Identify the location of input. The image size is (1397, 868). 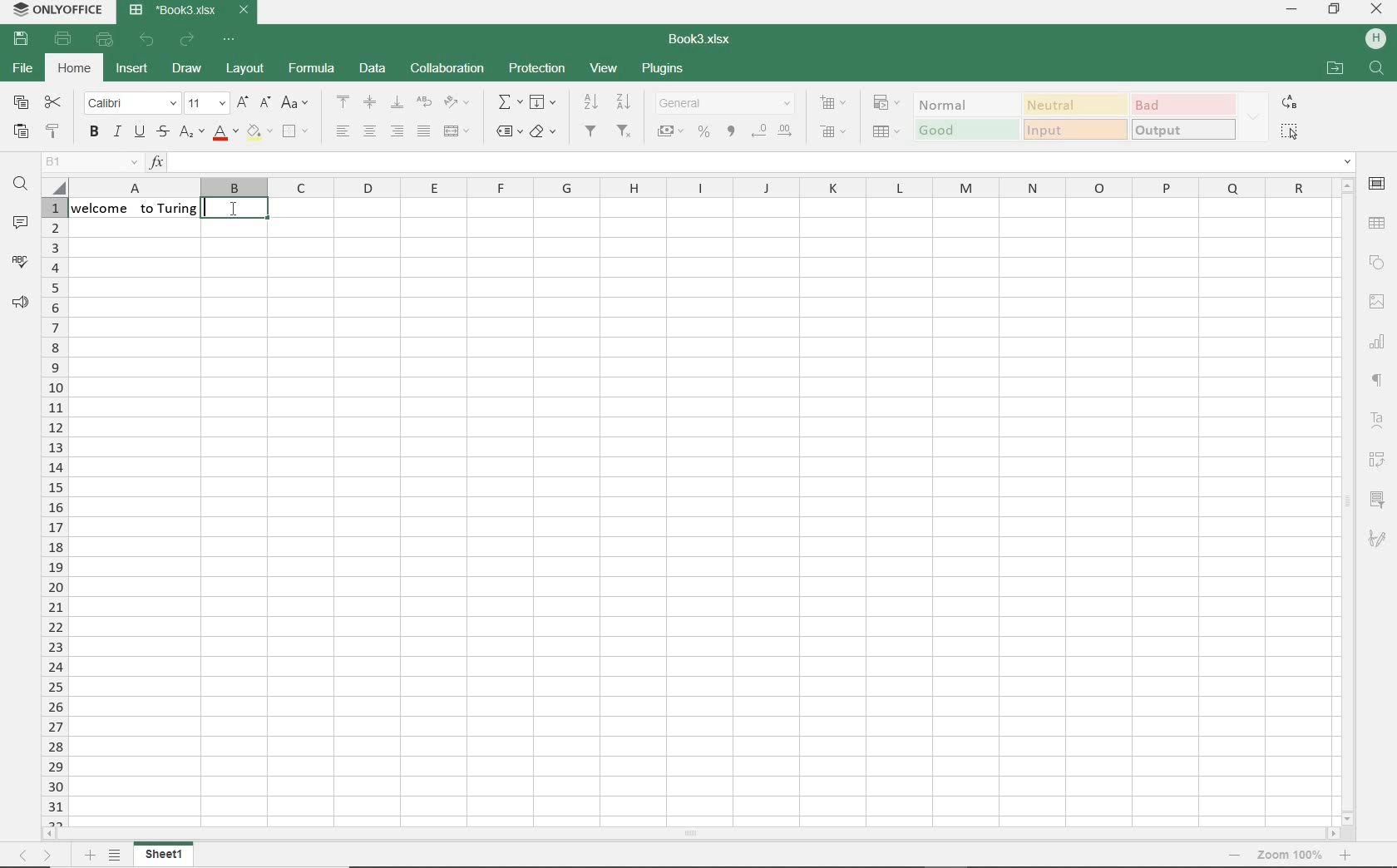
(1075, 131).